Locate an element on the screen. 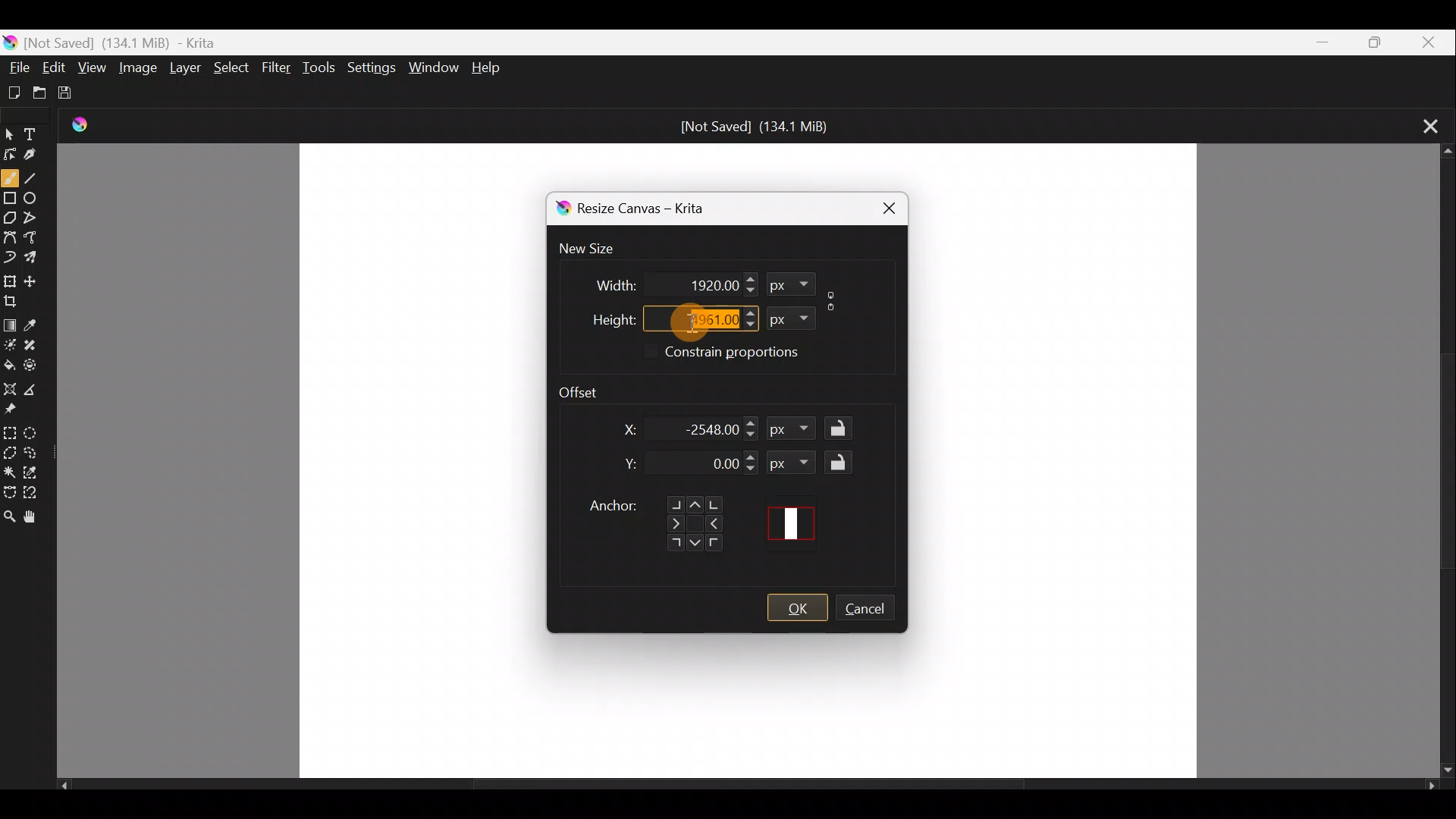 The height and width of the screenshot is (819, 1456). New size is located at coordinates (596, 249).